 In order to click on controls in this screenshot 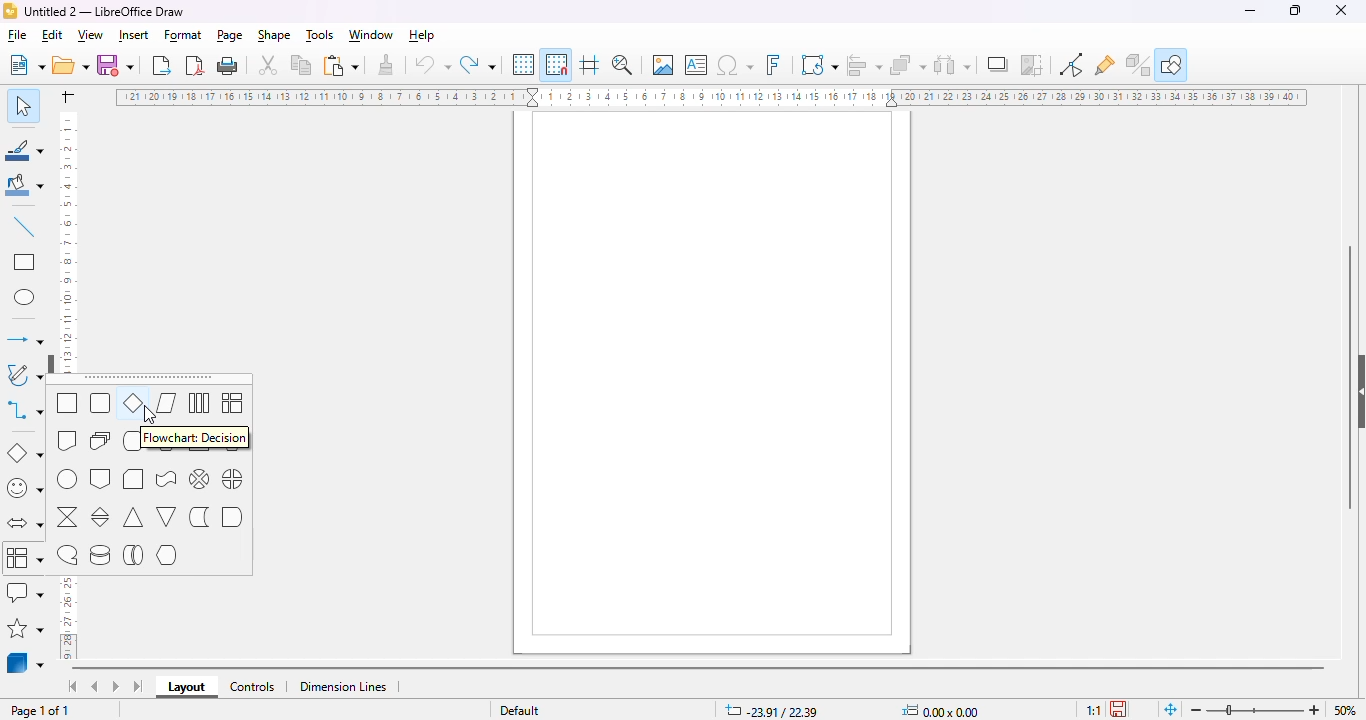, I will do `click(254, 687)`.